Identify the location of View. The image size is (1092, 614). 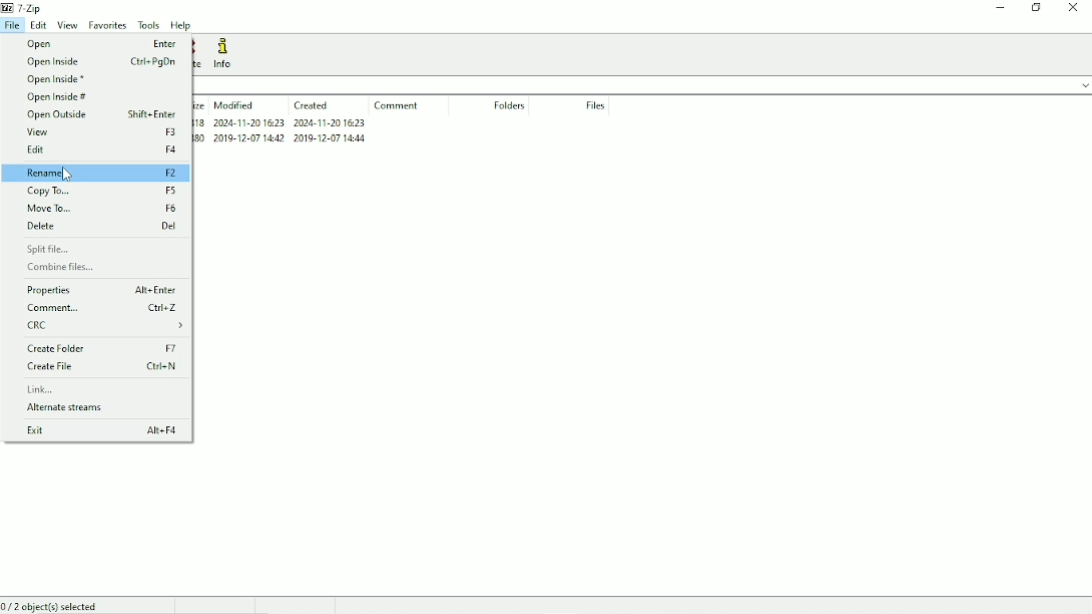
(67, 26).